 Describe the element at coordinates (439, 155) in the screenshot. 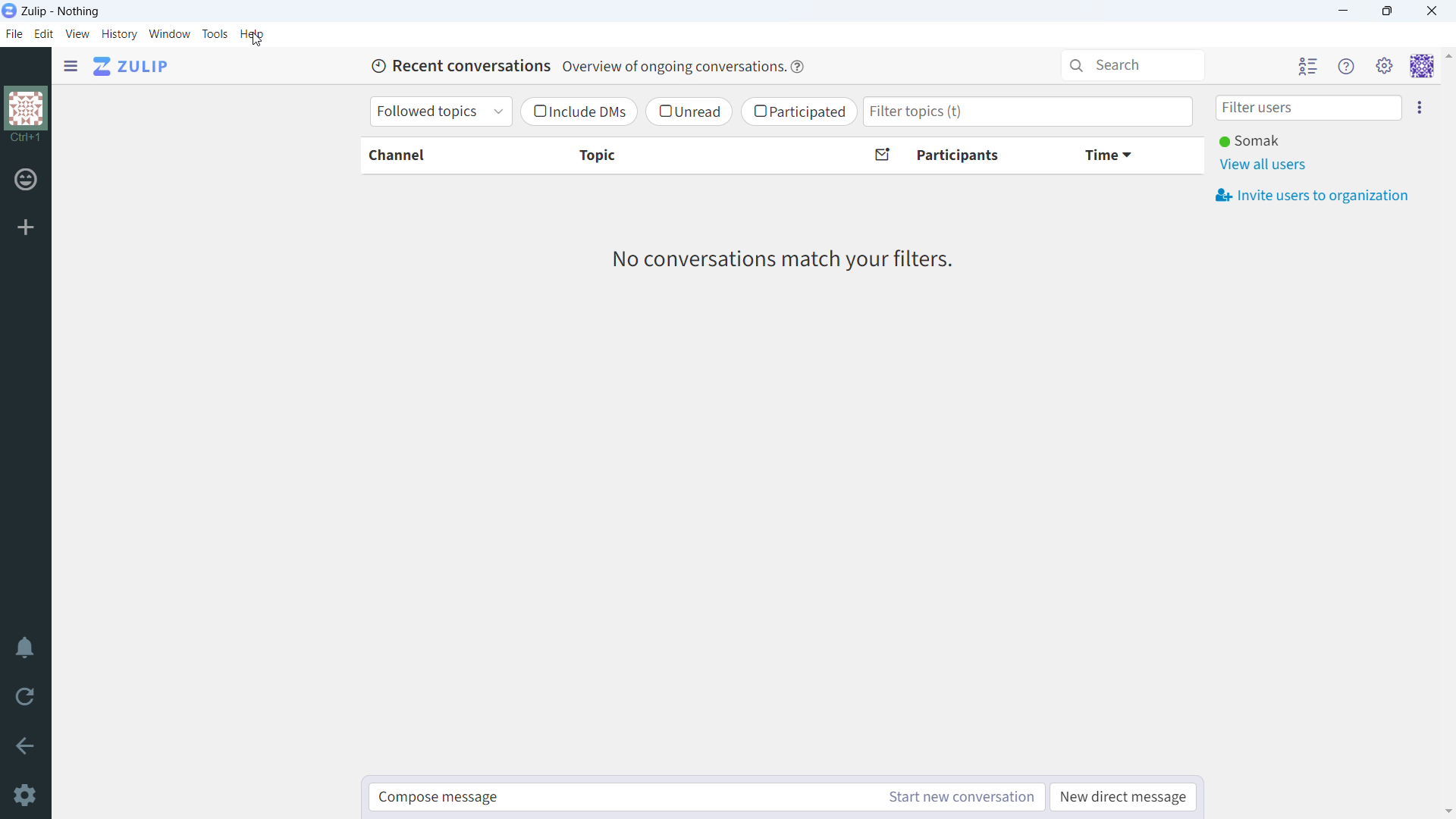

I see `channel` at that location.